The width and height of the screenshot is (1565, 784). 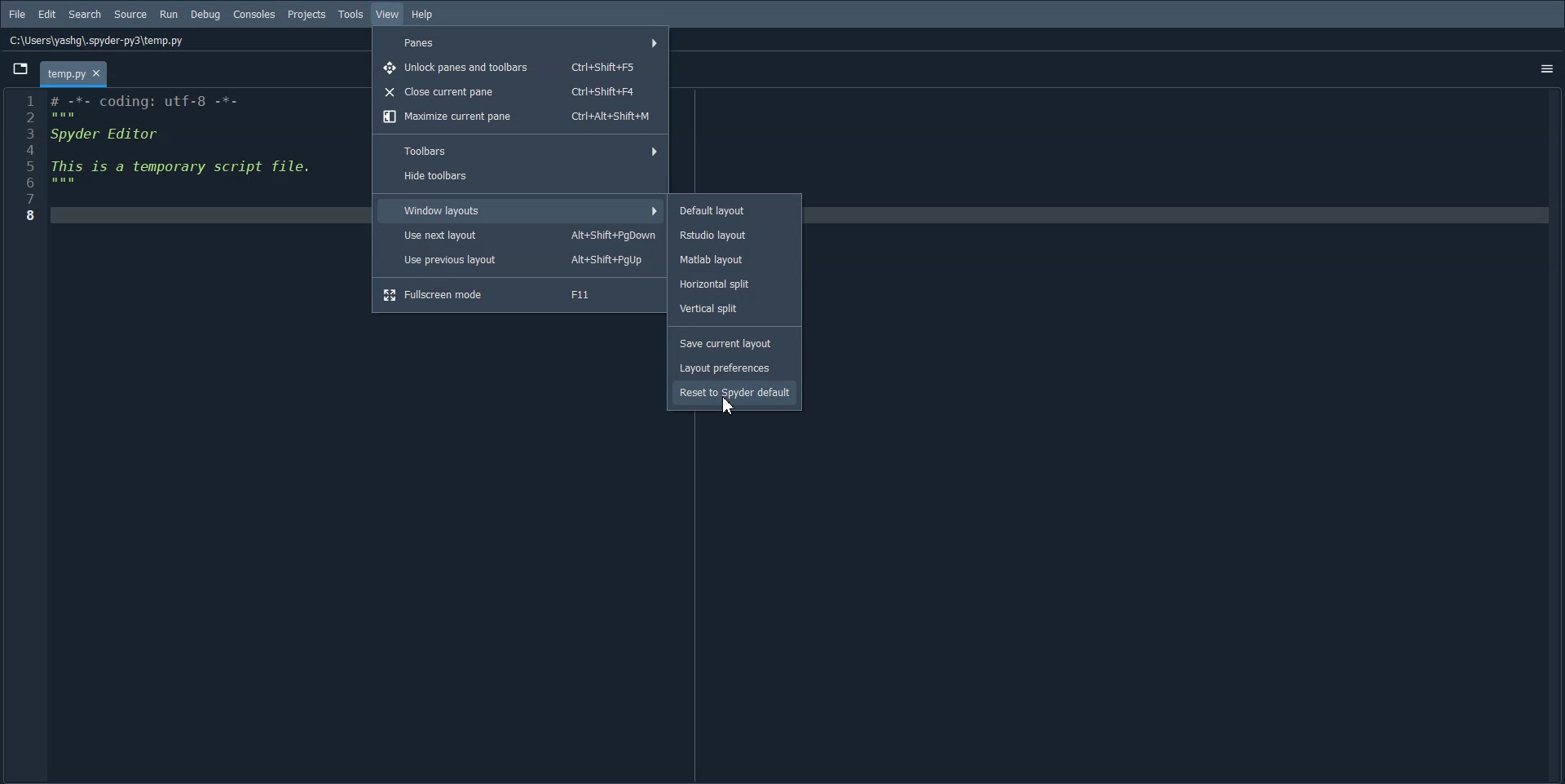 What do you see at coordinates (520, 210) in the screenshot?
I see `Window layouts` at bounding box center [520, 210].